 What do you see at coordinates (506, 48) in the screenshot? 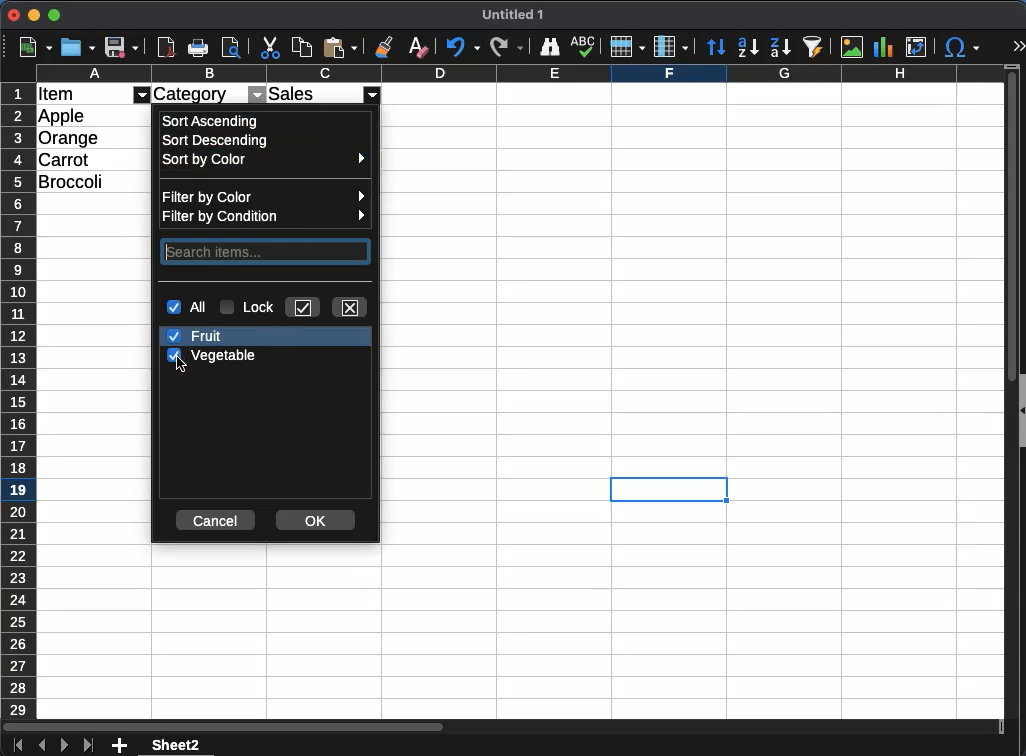
I see `redo` at bounding box center [506, 48].